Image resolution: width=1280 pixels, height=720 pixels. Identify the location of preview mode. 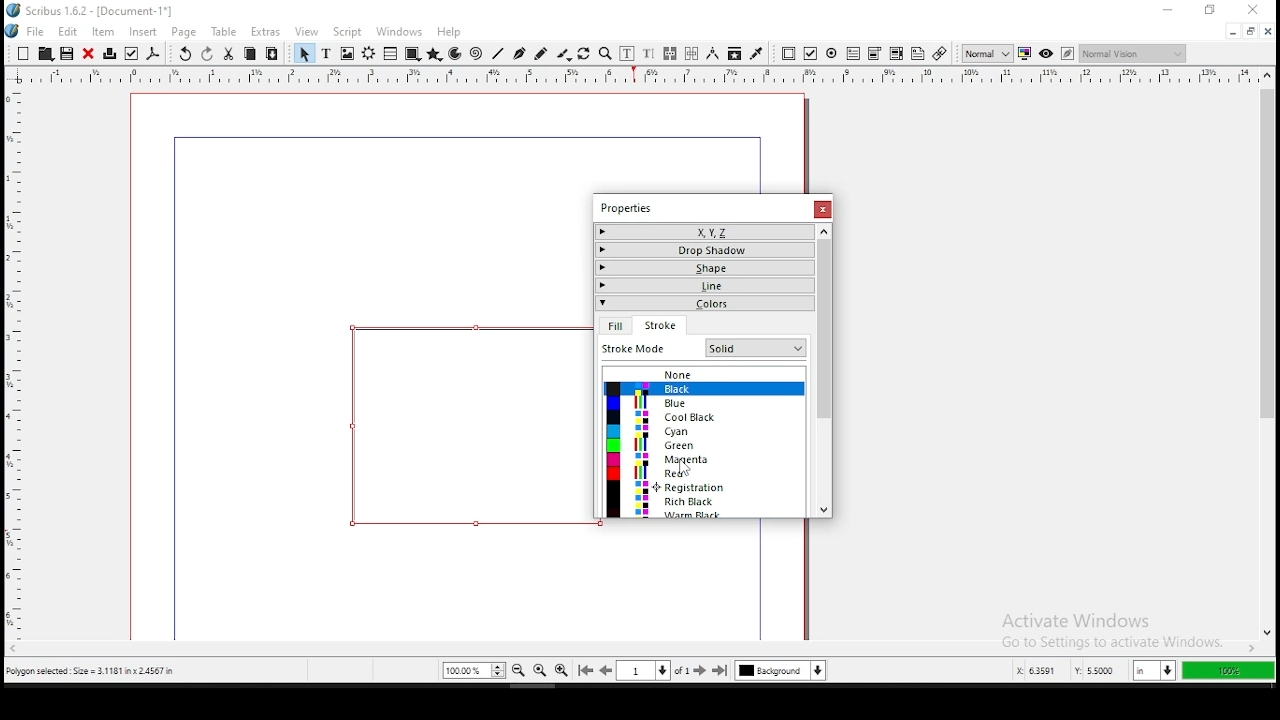
(1044, 53).